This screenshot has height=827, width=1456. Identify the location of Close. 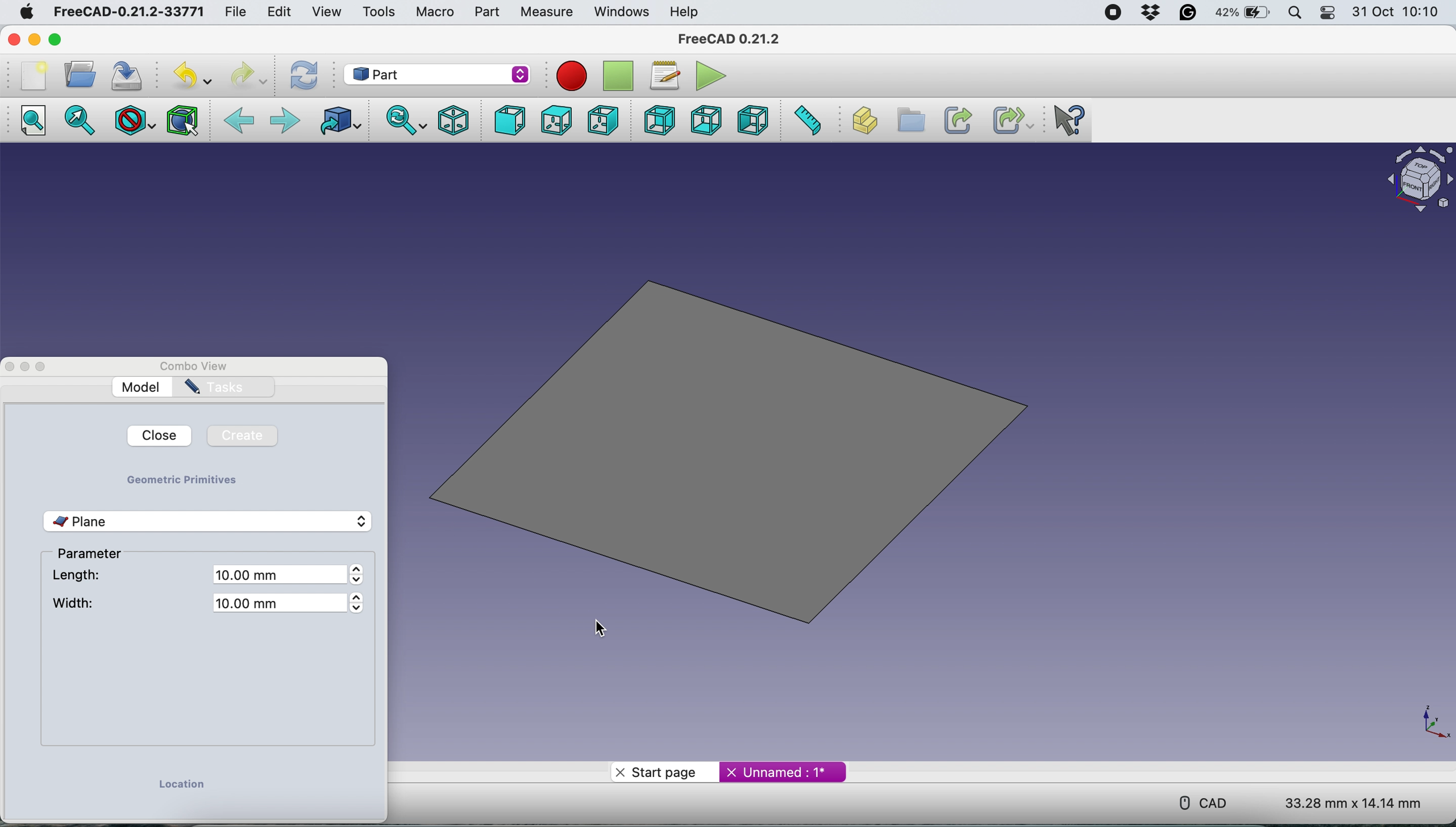
(14, 40).